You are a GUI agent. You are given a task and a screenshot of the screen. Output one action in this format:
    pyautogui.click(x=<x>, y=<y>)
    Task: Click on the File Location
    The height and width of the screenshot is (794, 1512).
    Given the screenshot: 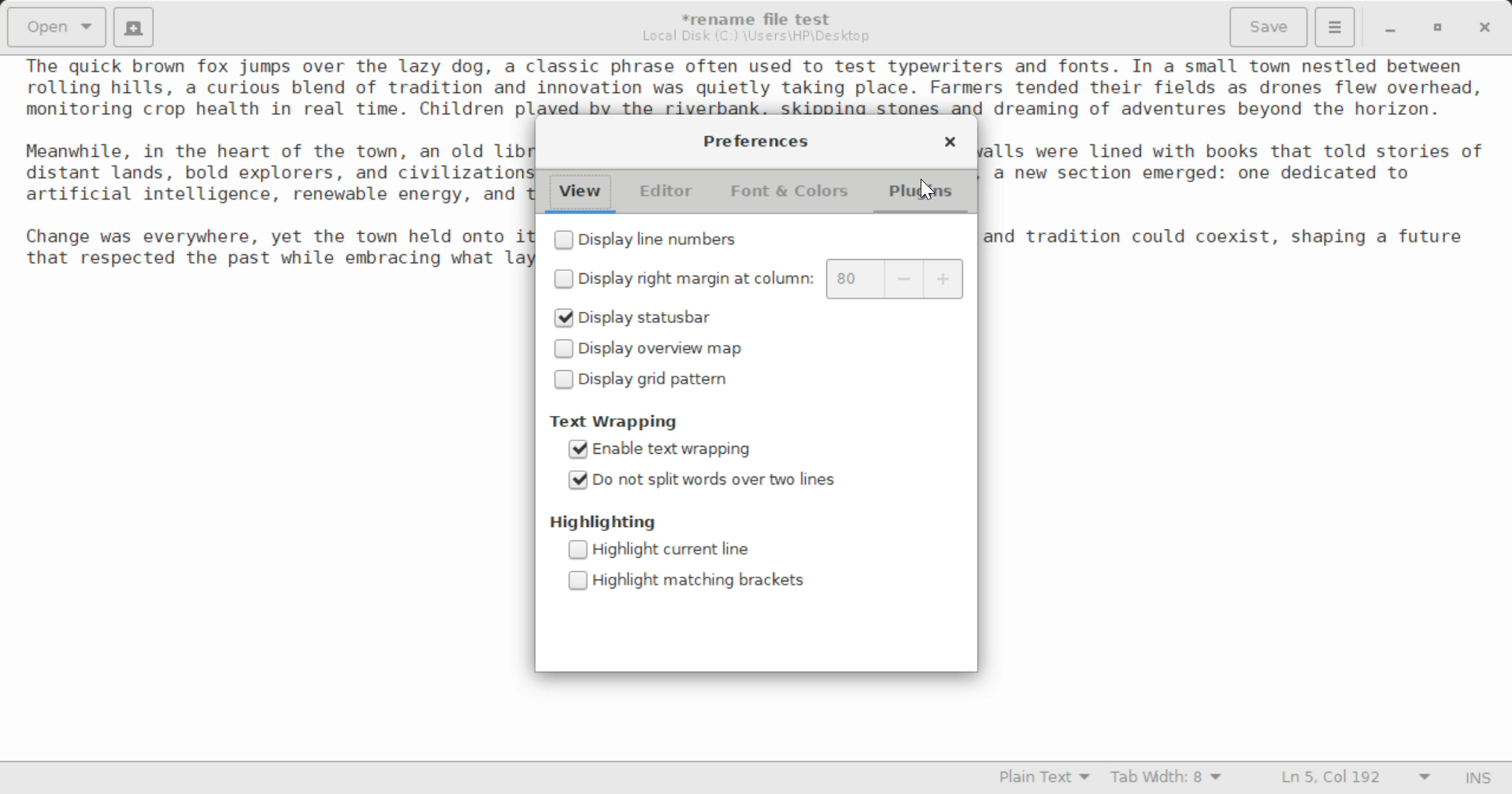 What is the action you would take?
    pyautogui.click(x=756, y=36)
    